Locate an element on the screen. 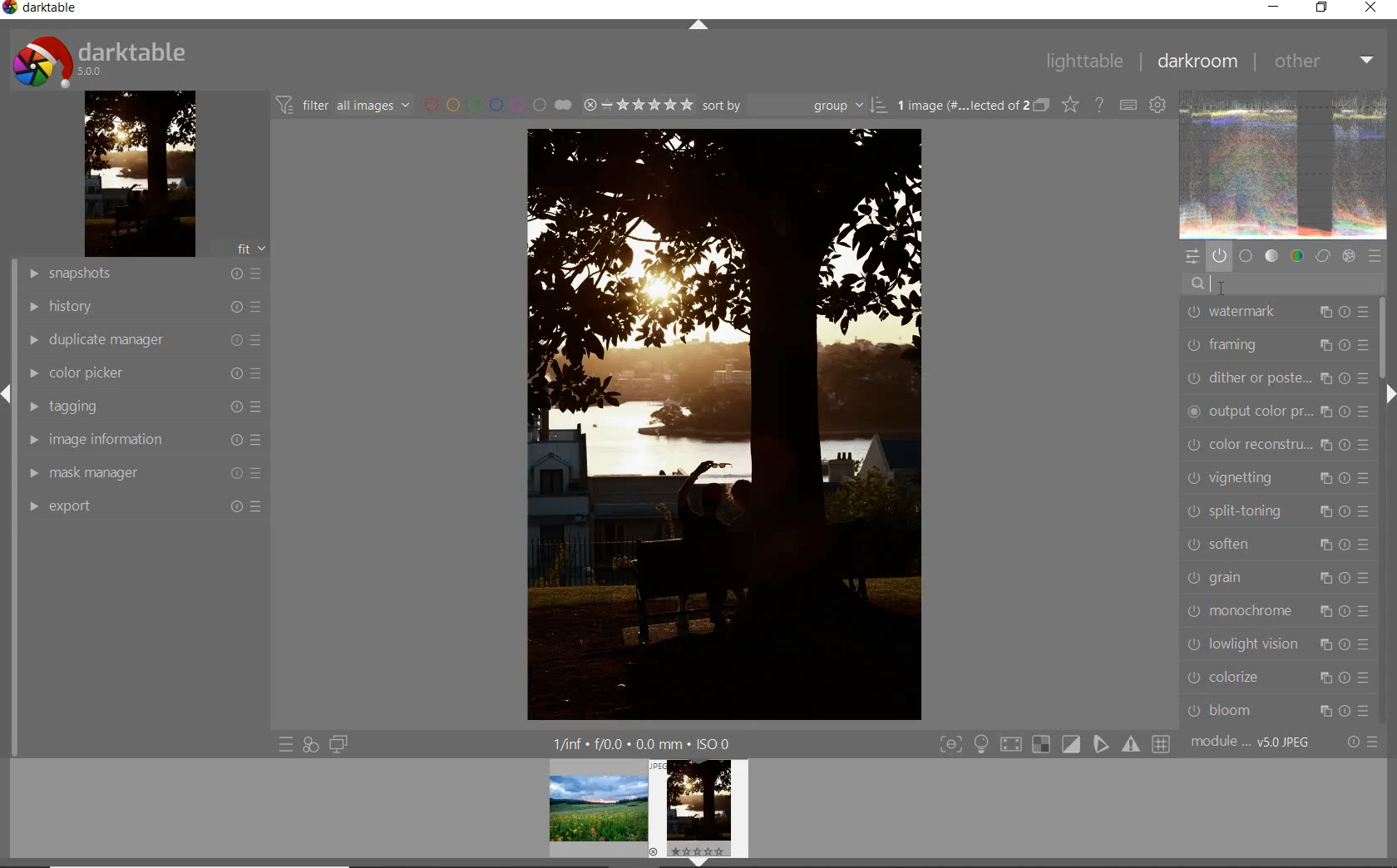 The height and width of the screenshot is (868, 1397). cursor is located at coordinates (1211, 285).